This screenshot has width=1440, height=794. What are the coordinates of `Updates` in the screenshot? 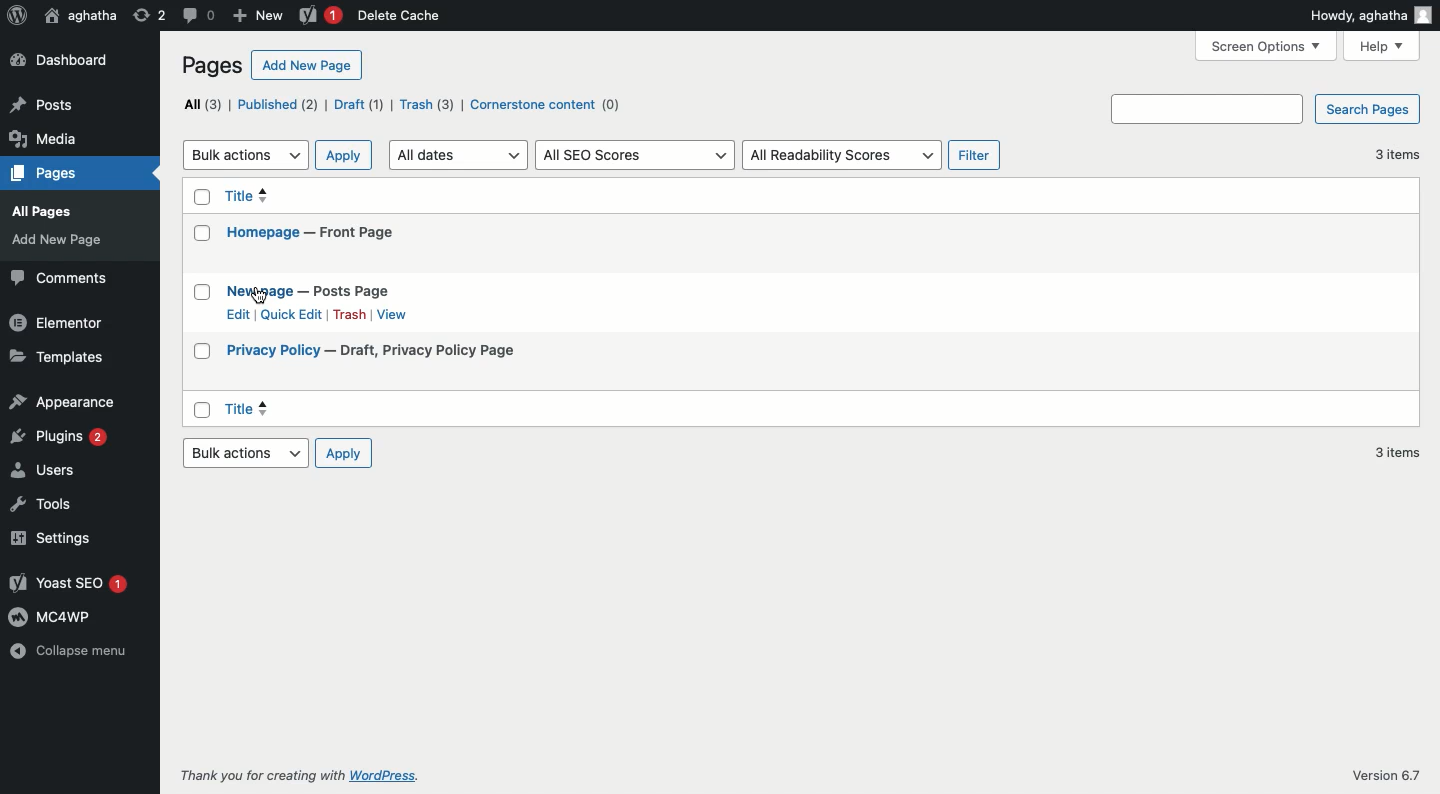 It's located at (72, 127).